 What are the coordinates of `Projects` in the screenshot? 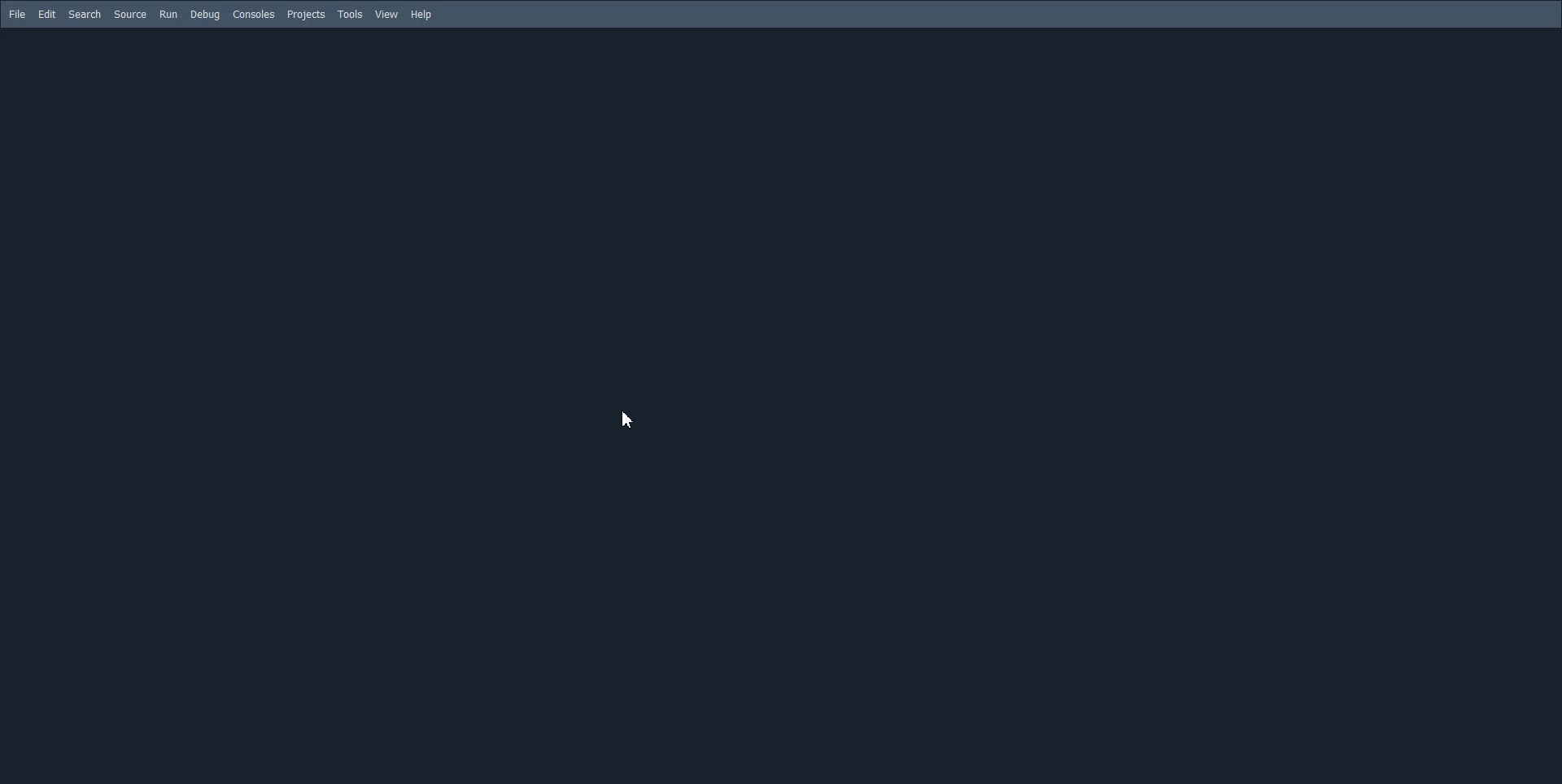 It's located at (306, 15).